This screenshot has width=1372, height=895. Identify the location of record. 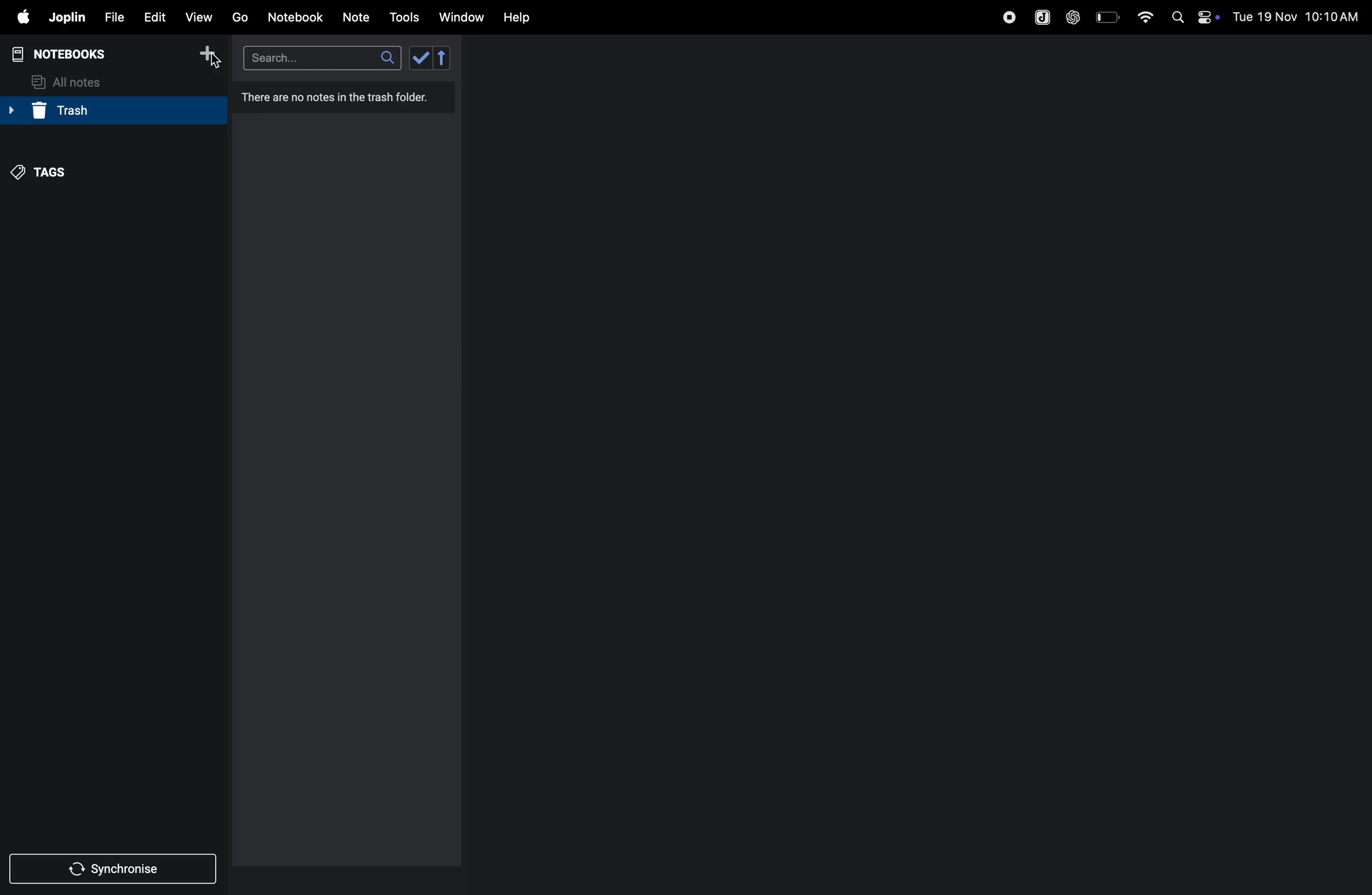
(1005, 17).